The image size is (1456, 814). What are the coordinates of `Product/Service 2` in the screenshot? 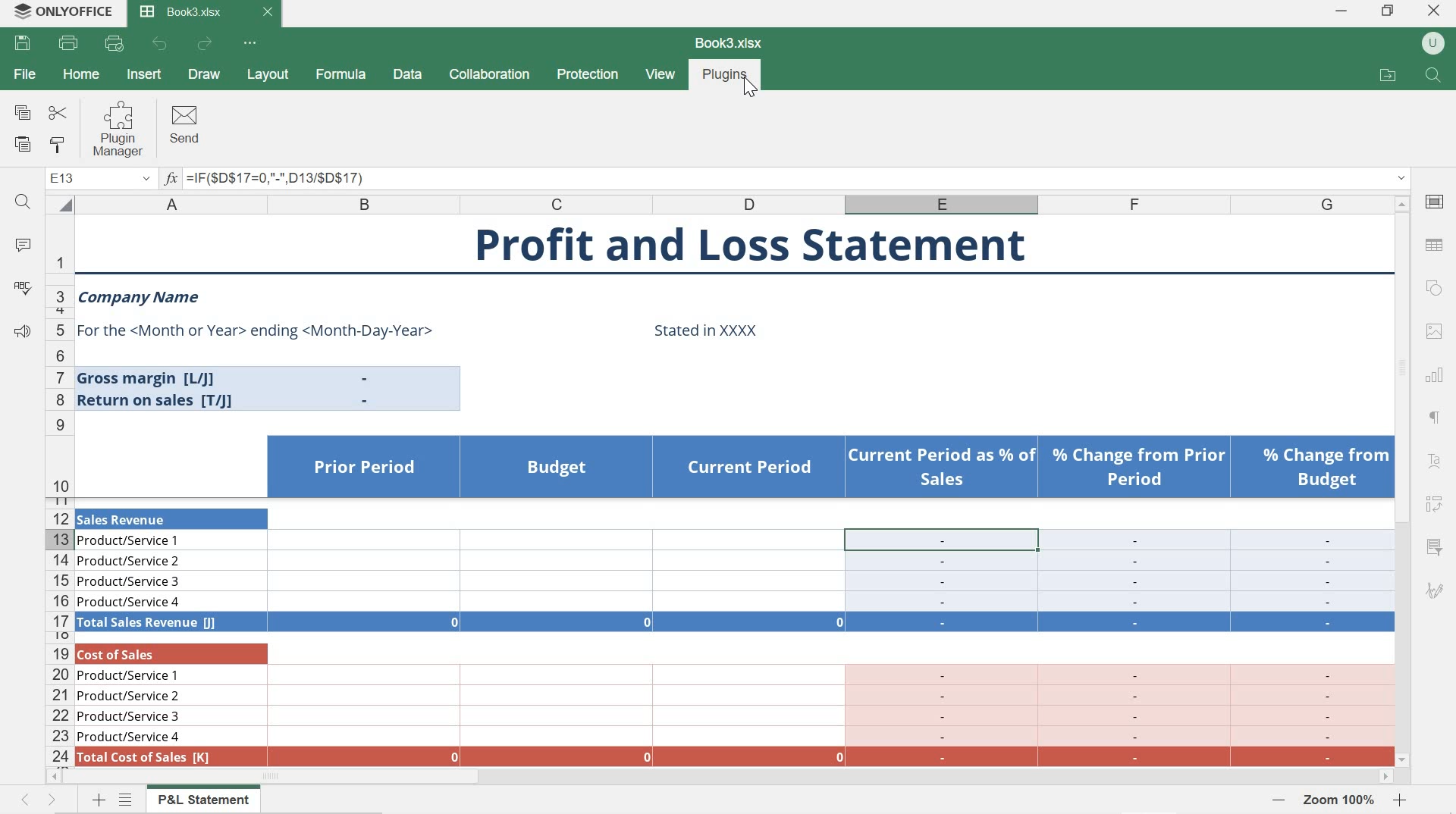 It's located at (130, 697).